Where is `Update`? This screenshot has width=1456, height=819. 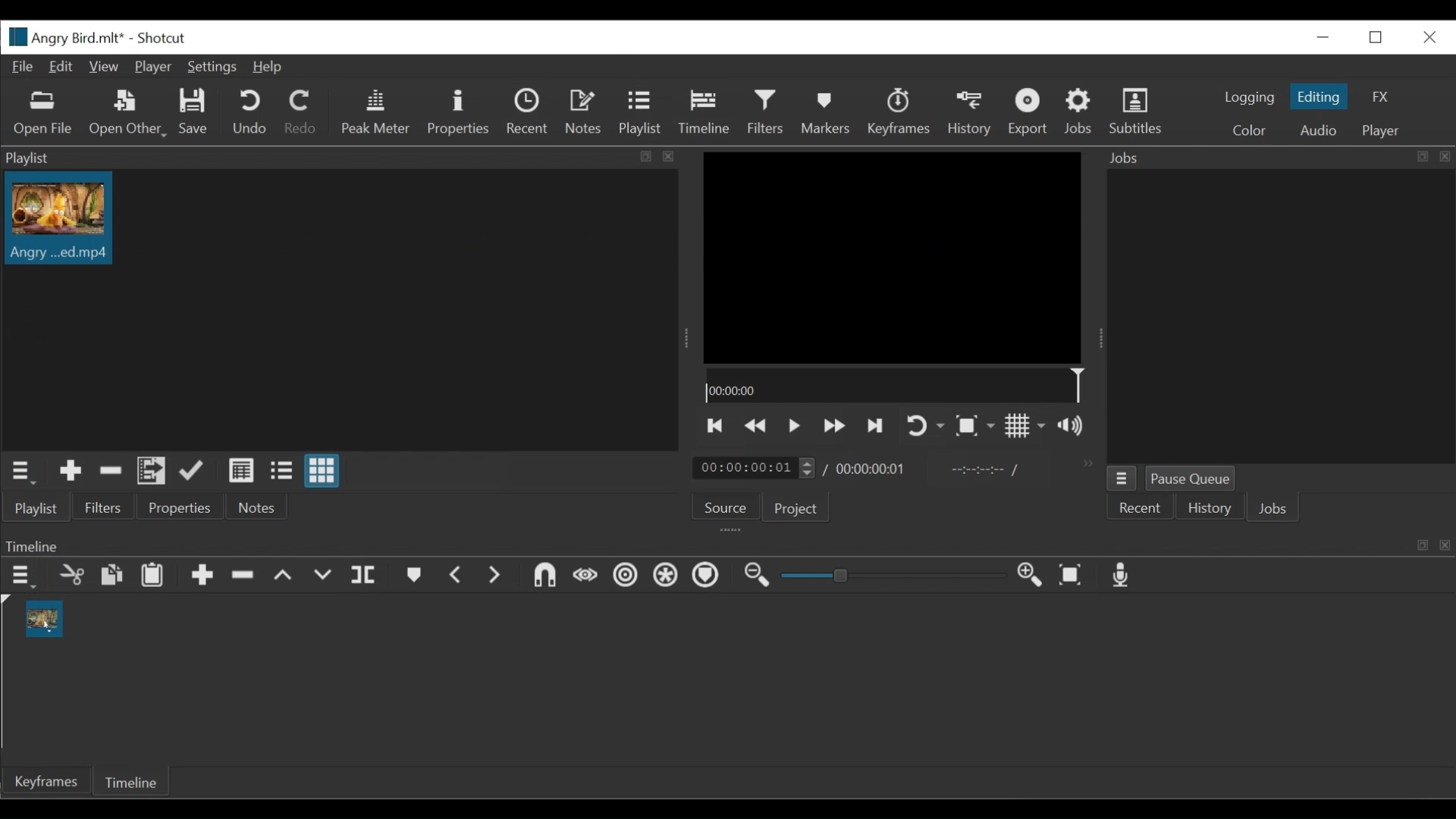
Update is located at coordinates (194, 472).